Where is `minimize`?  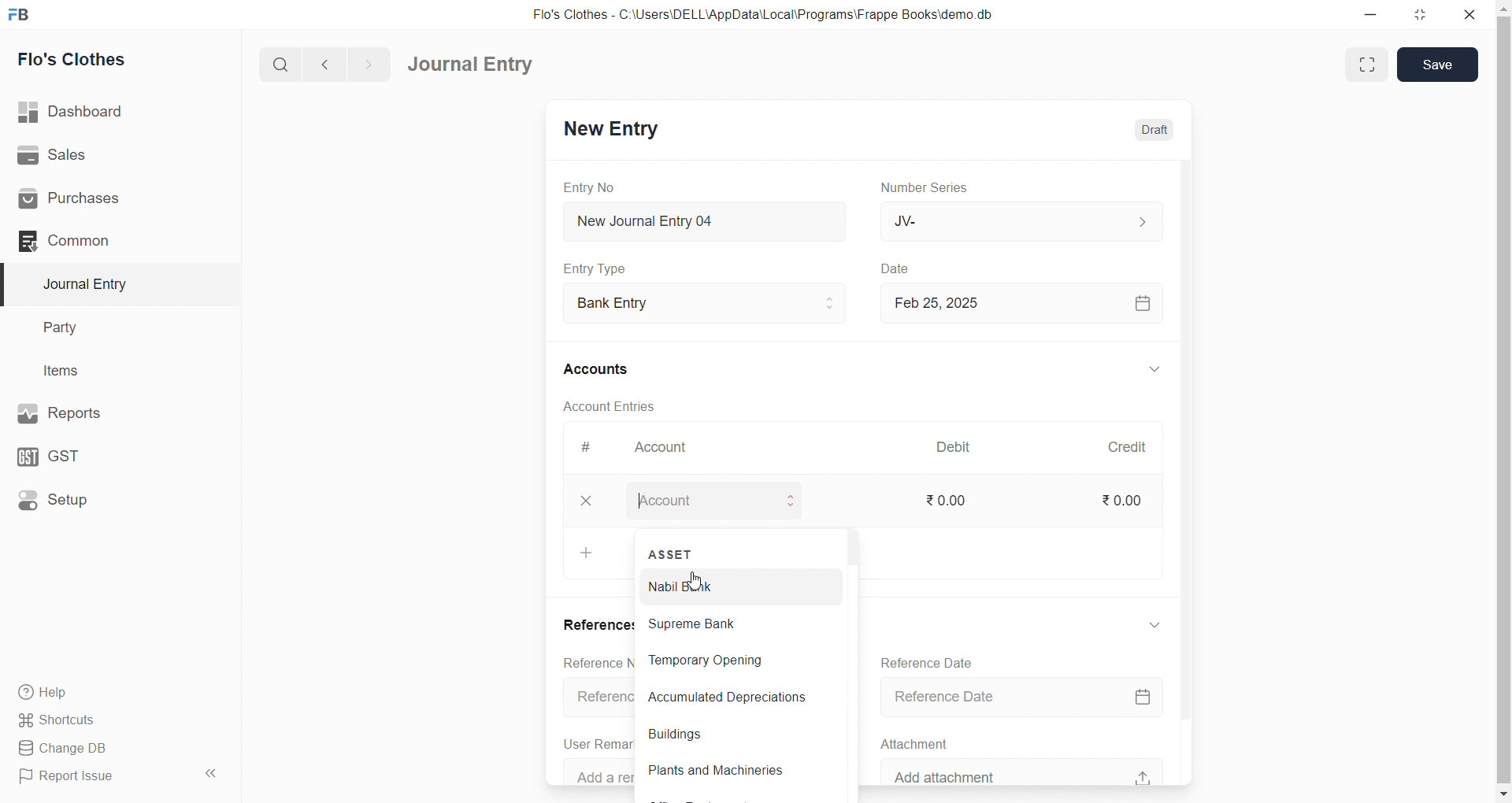
minimize is located at coordinates (1366, 13).